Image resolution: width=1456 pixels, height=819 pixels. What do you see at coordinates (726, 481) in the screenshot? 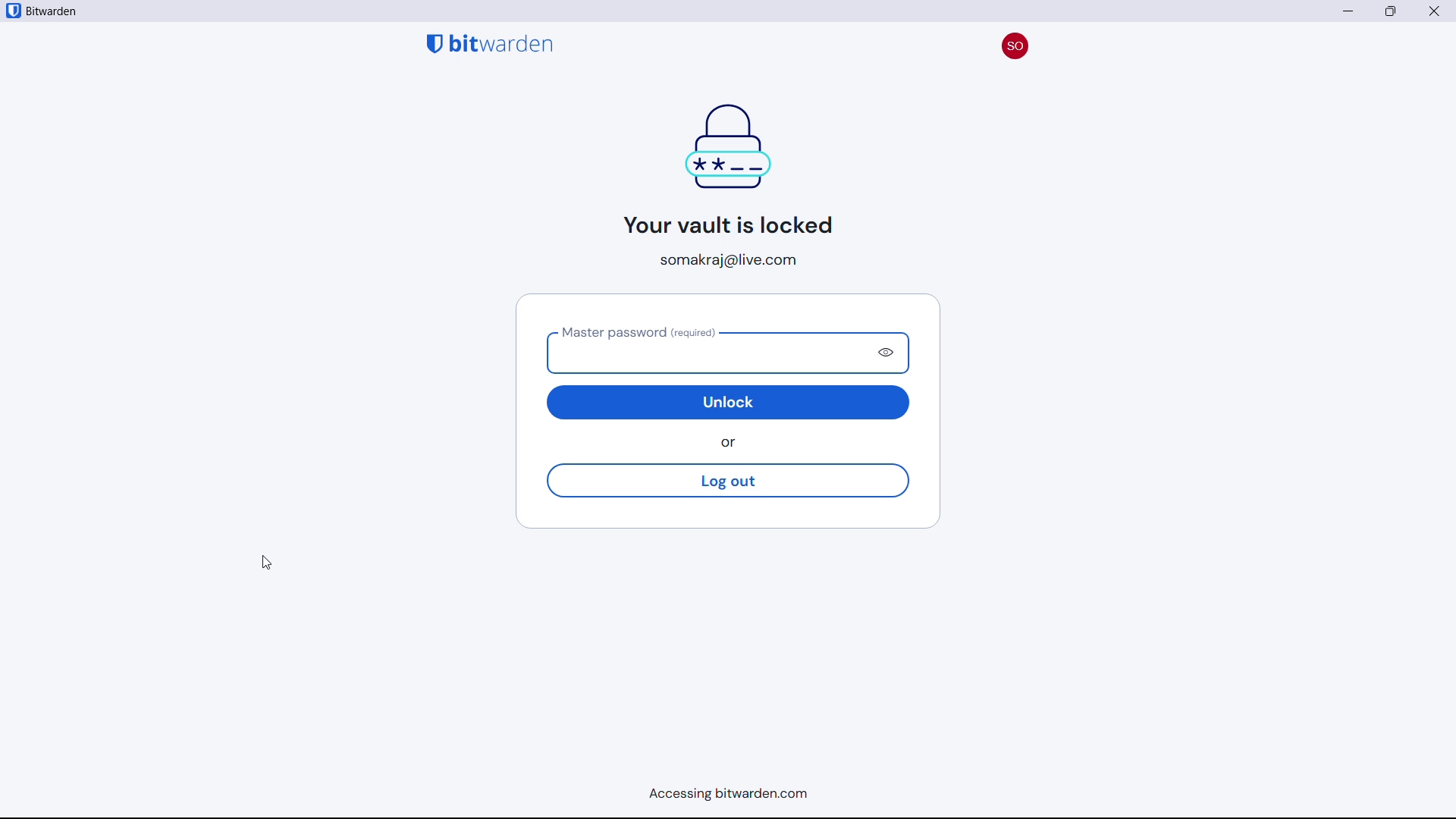
I see `Logout ` at bounding box center [726, 481].